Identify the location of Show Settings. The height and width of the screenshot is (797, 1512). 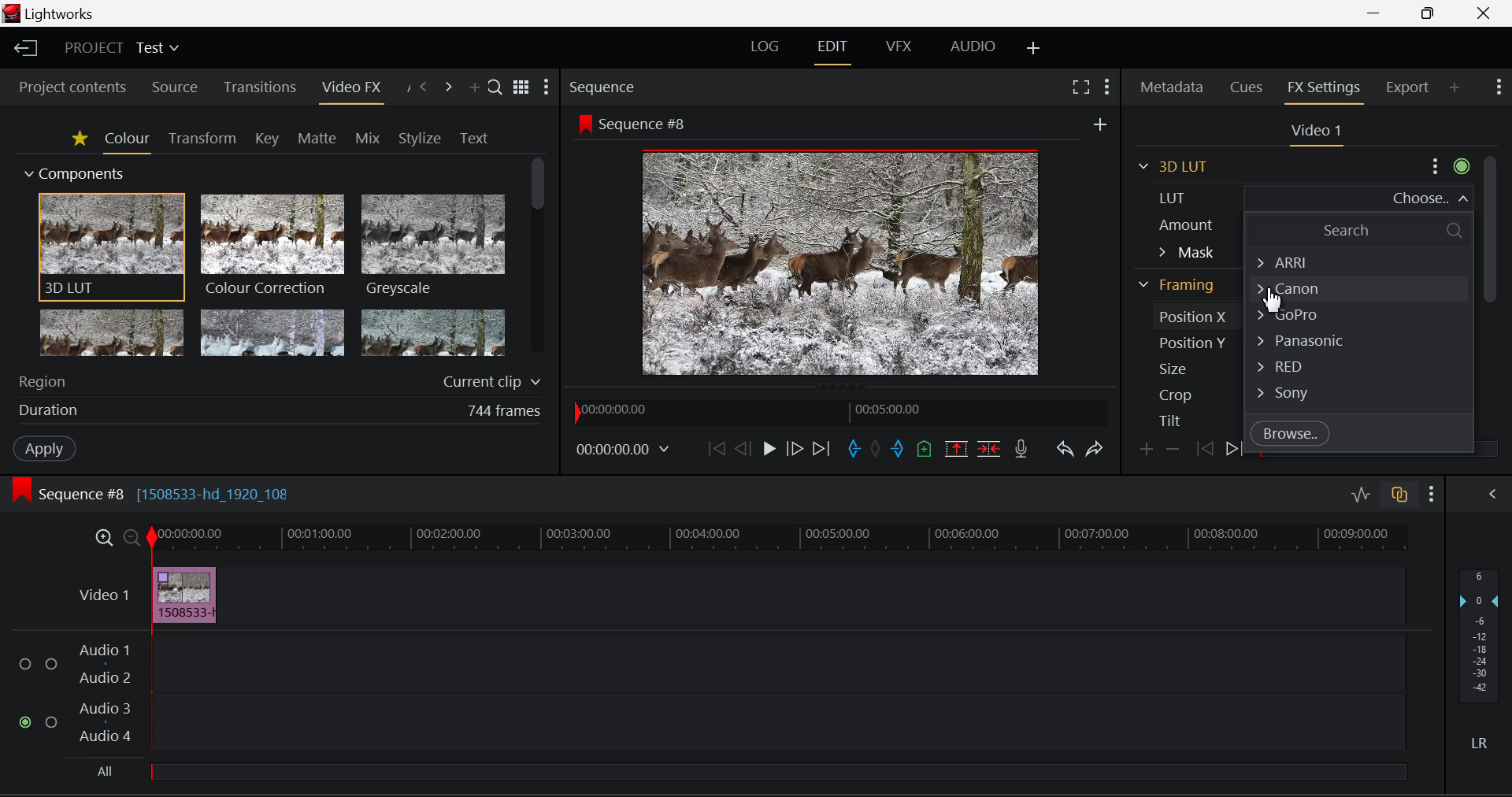
(548, 87).